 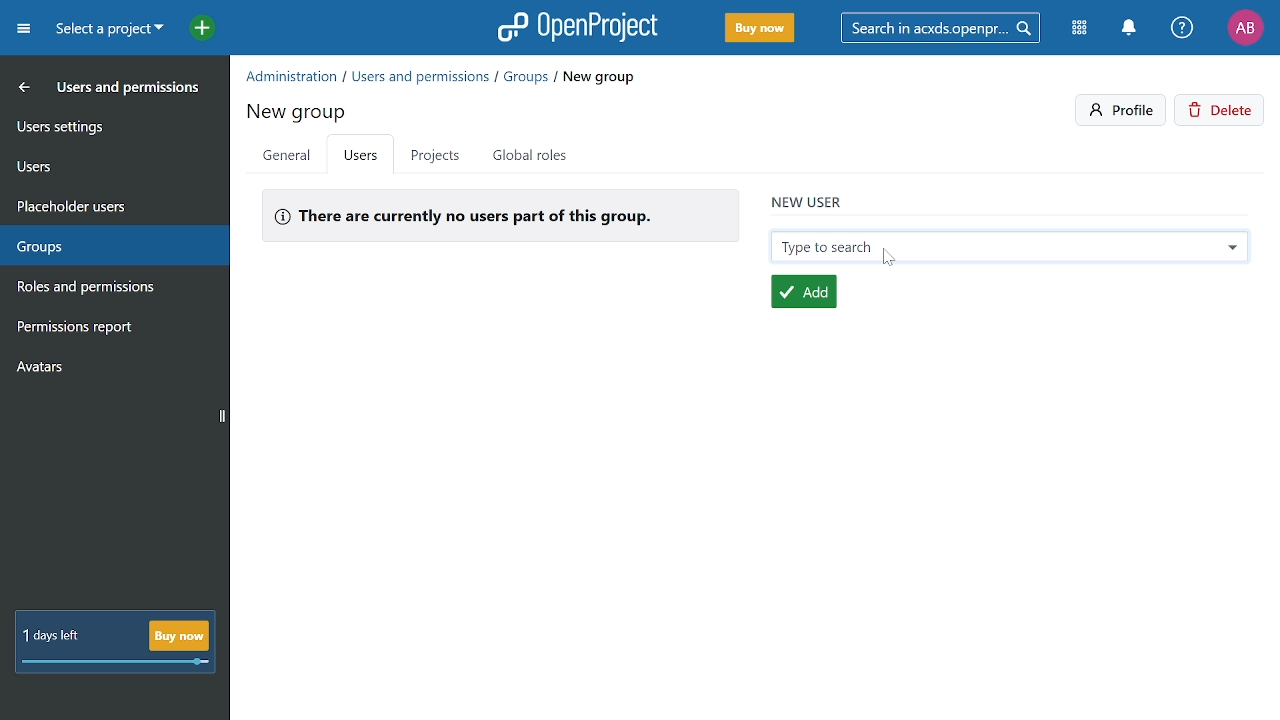 I want to click on Placeholders users, so click(x=112, y=204).